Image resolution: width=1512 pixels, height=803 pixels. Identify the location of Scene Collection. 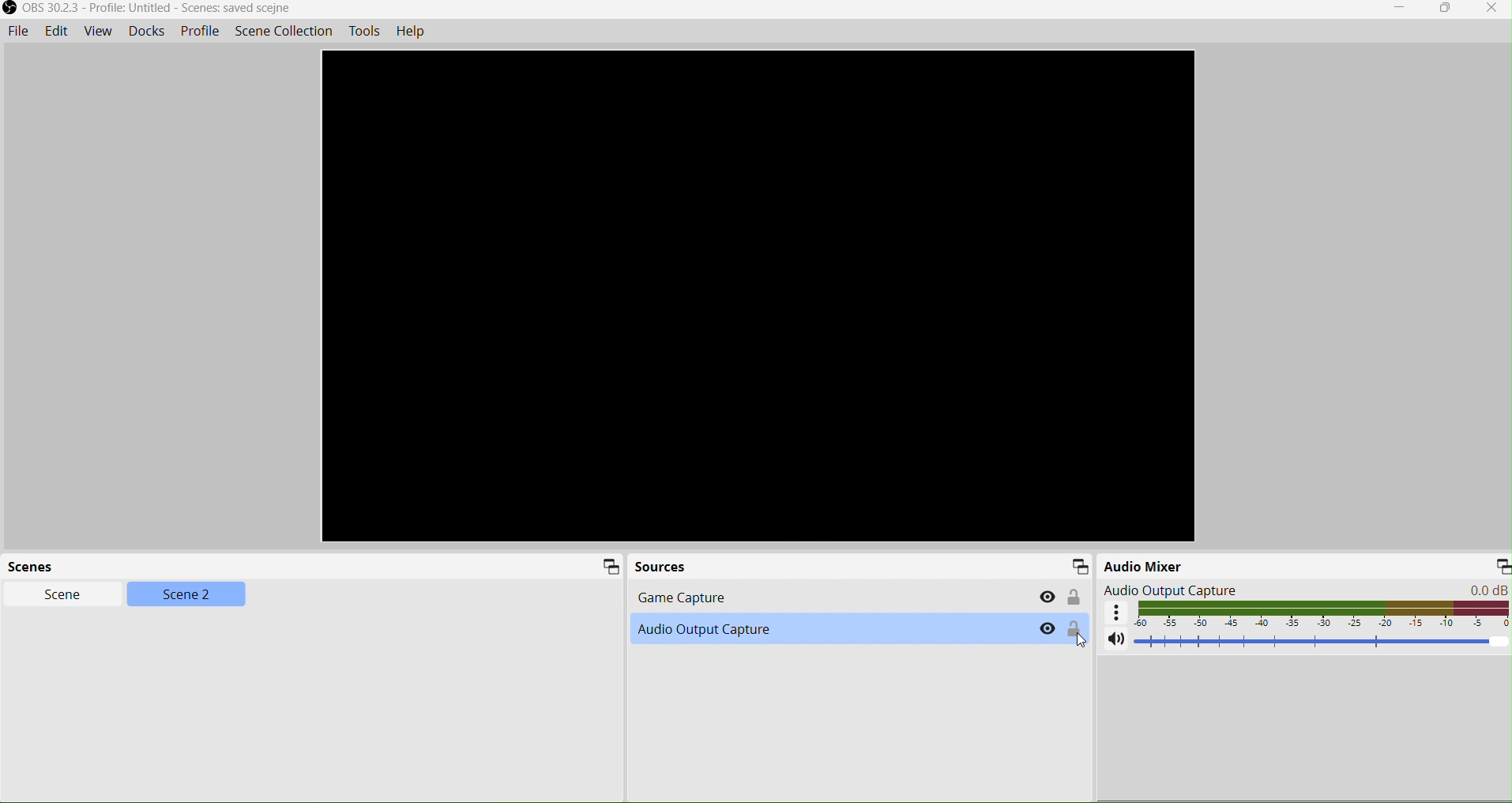
(284, 31).